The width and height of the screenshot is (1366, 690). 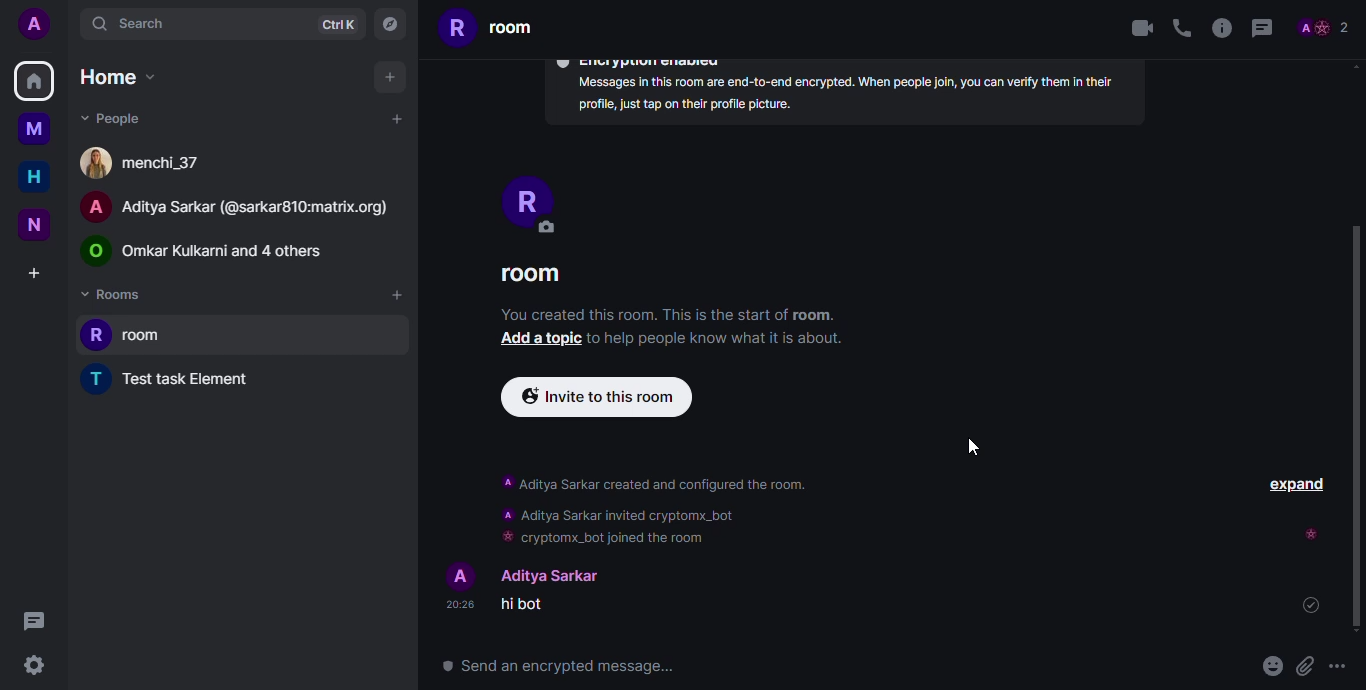 I want to click on 20:28, so click(x=458, y=604).